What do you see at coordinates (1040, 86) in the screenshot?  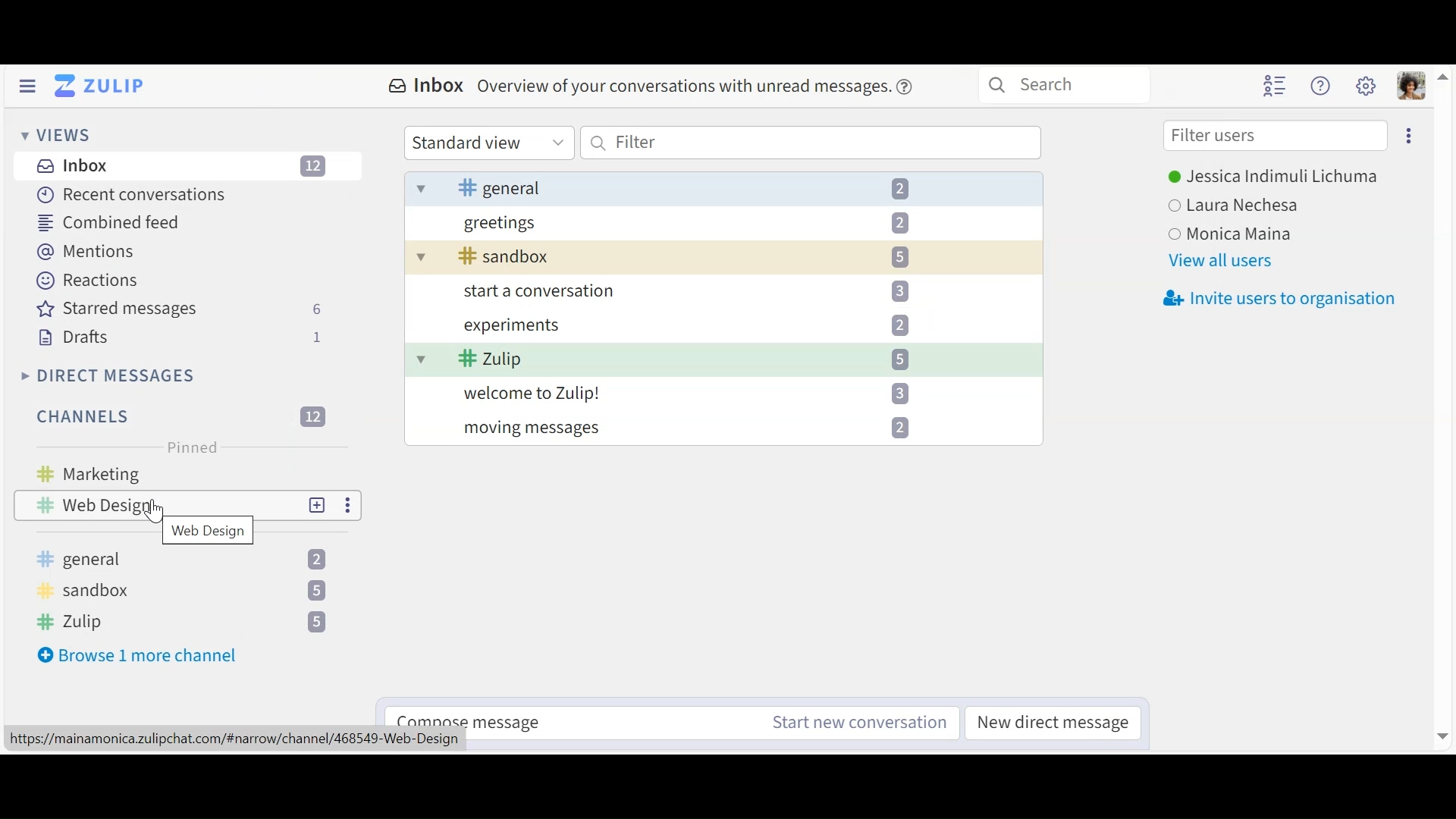 I see `Search` at bounding box center [1040, 86].